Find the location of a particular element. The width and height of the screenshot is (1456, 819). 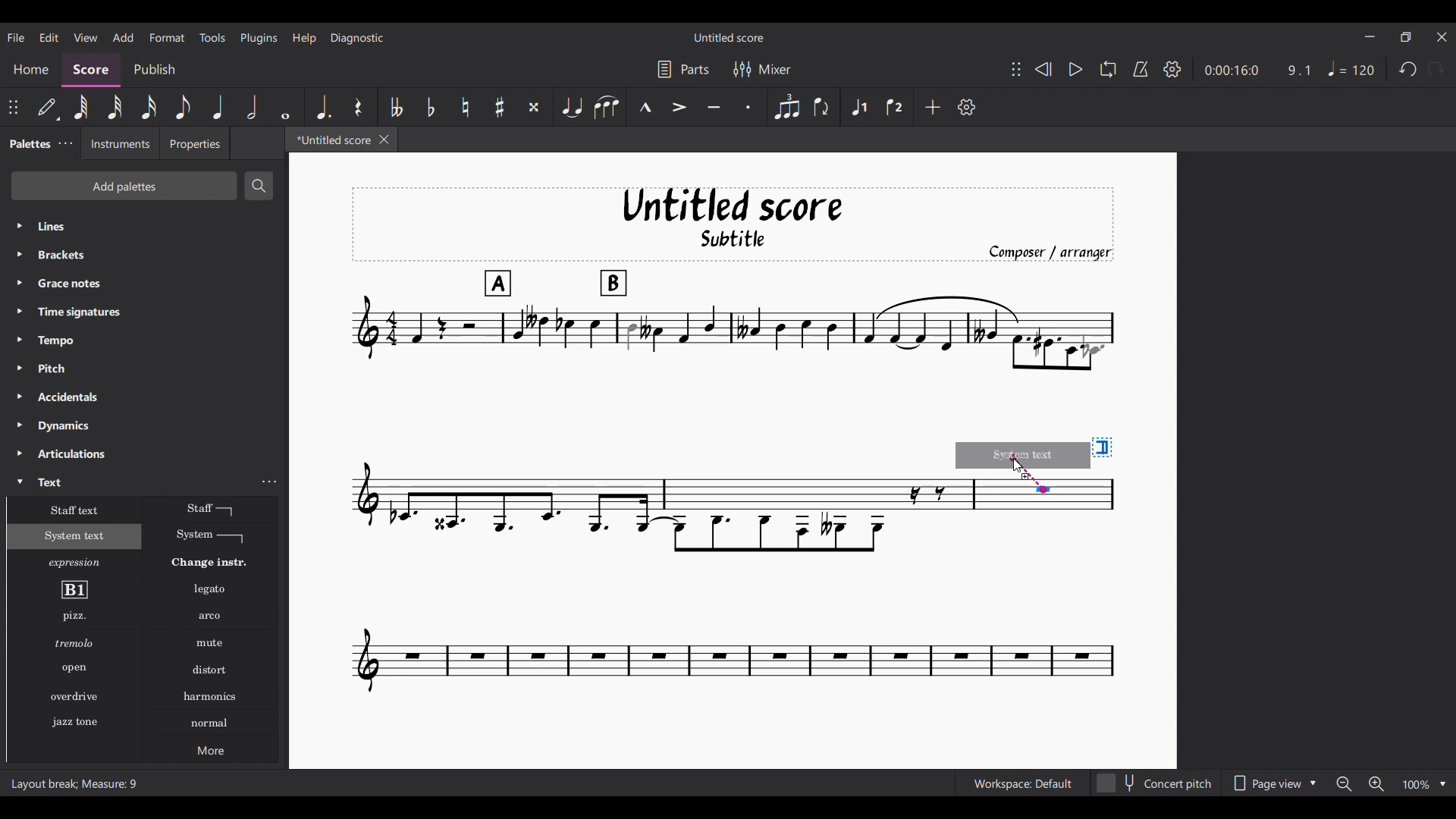

Untitled score is located at coordinates (729, 38).